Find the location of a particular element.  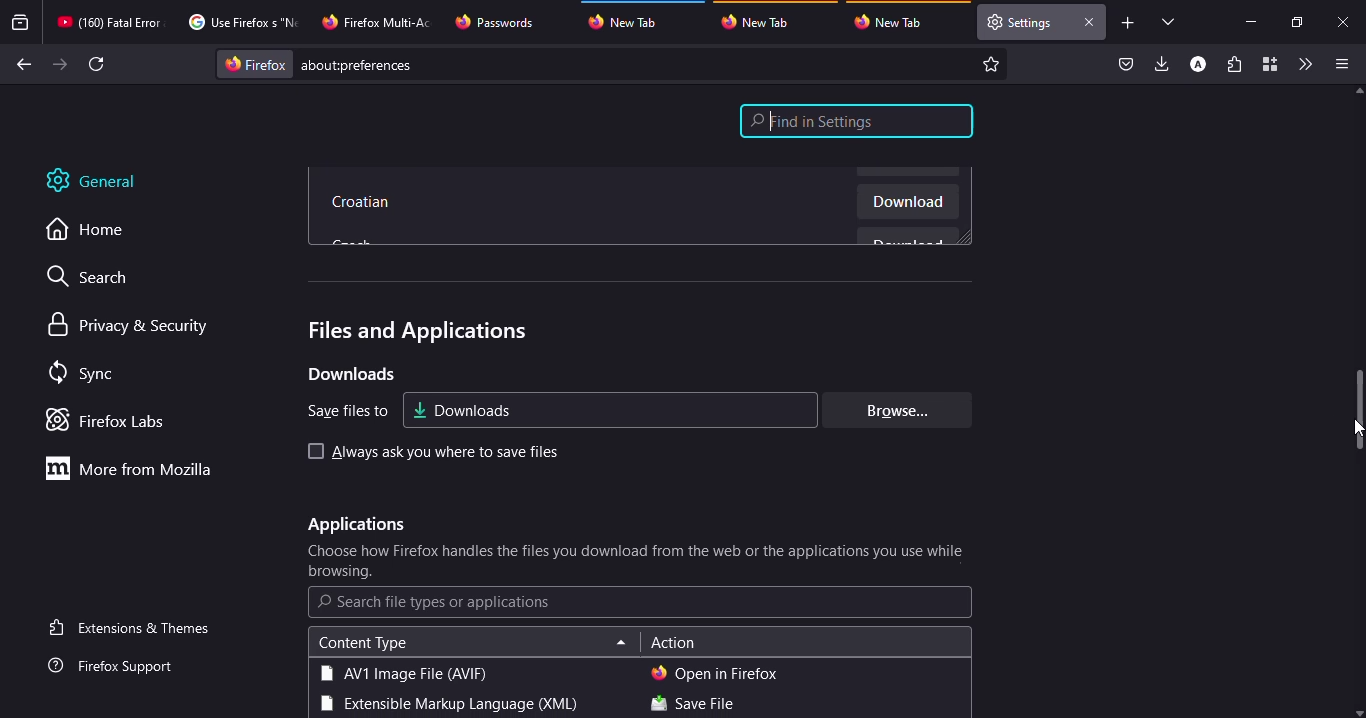

tab is located at coordinates (109, 22).